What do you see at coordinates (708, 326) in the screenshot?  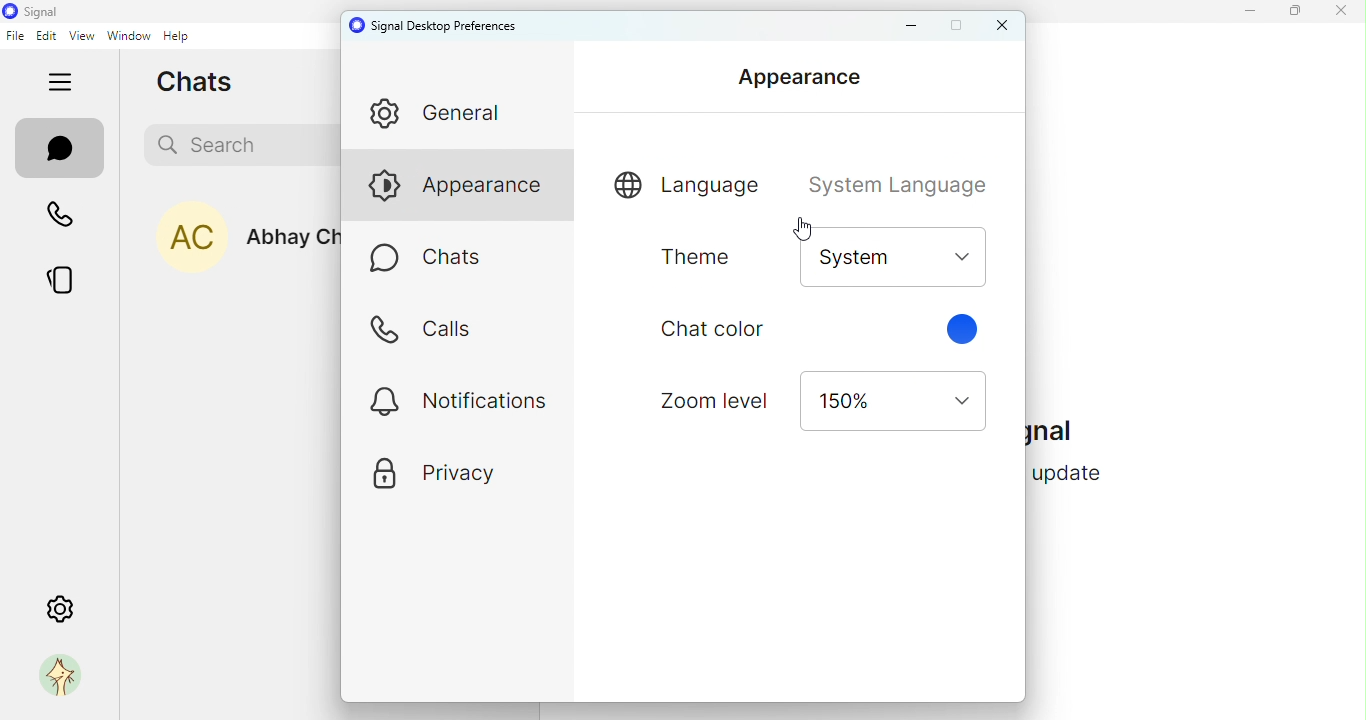 I see `Chat colot` at bounding box center [708, 326].